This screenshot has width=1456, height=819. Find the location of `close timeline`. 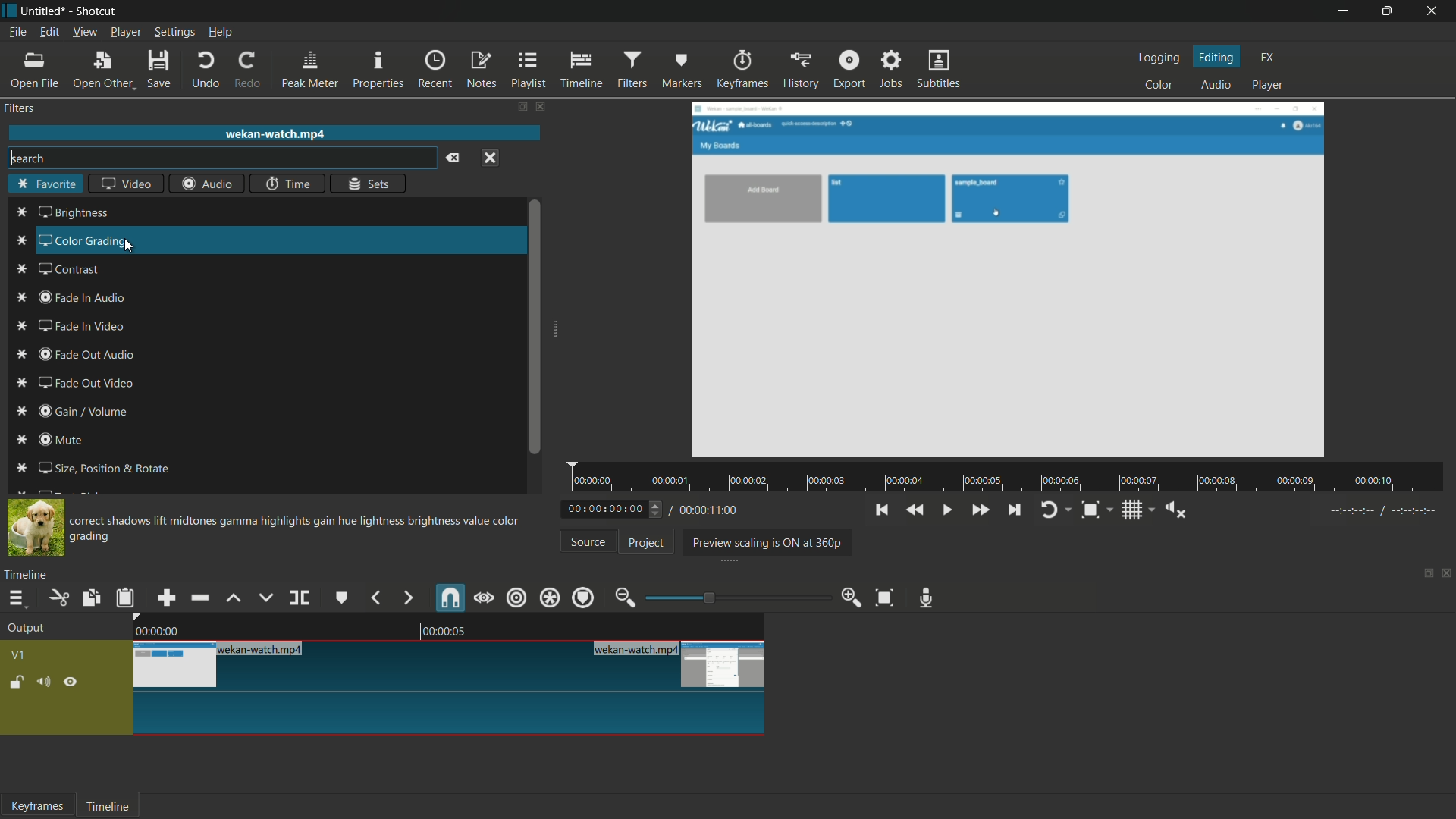

close timeline is located at coordinates (1447, 575).